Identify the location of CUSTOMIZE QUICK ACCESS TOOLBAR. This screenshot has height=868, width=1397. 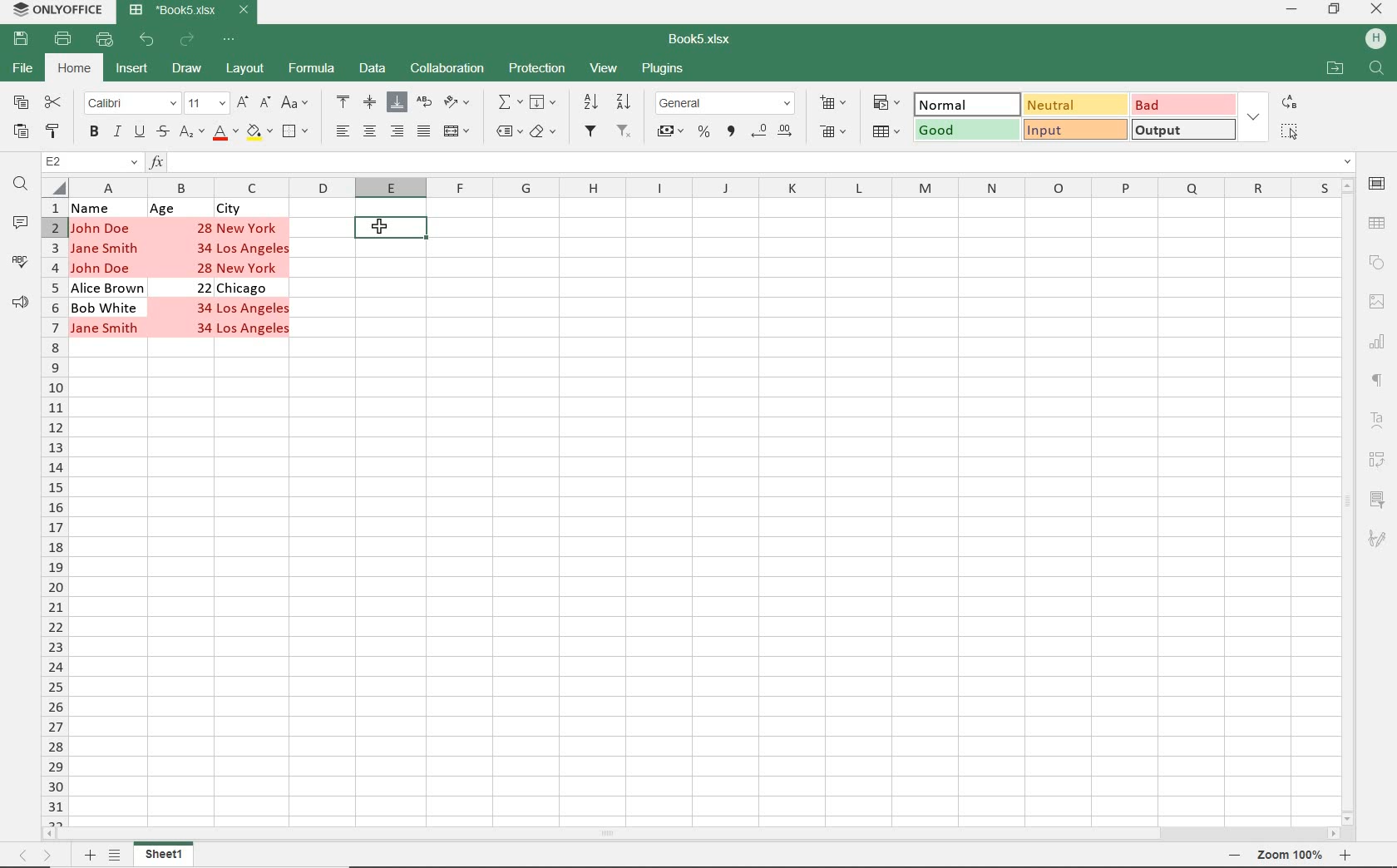
(230, 40).